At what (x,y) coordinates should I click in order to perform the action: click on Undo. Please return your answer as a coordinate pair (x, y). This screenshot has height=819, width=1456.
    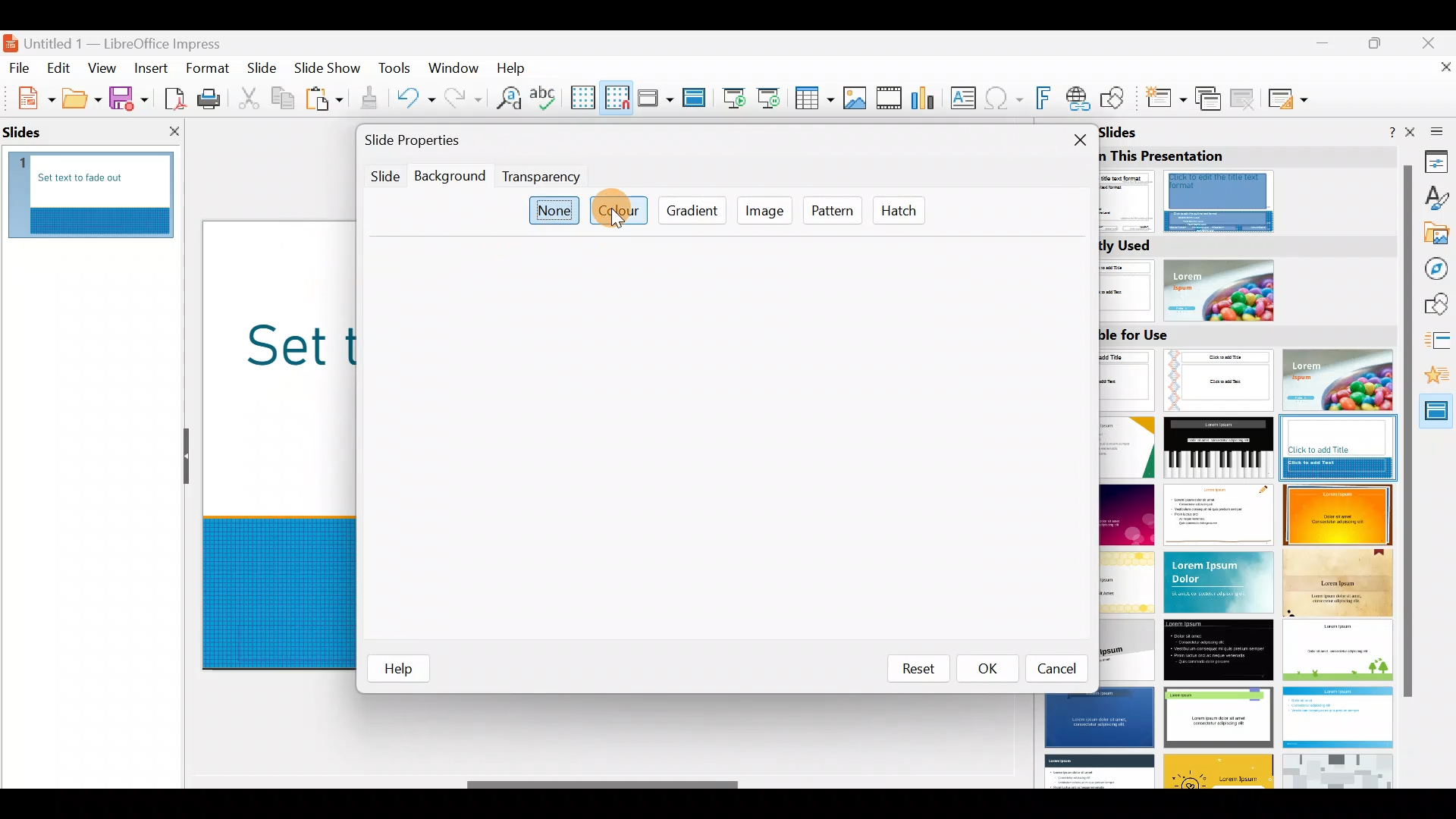
    Looking at the image, I should click on (416, 101).